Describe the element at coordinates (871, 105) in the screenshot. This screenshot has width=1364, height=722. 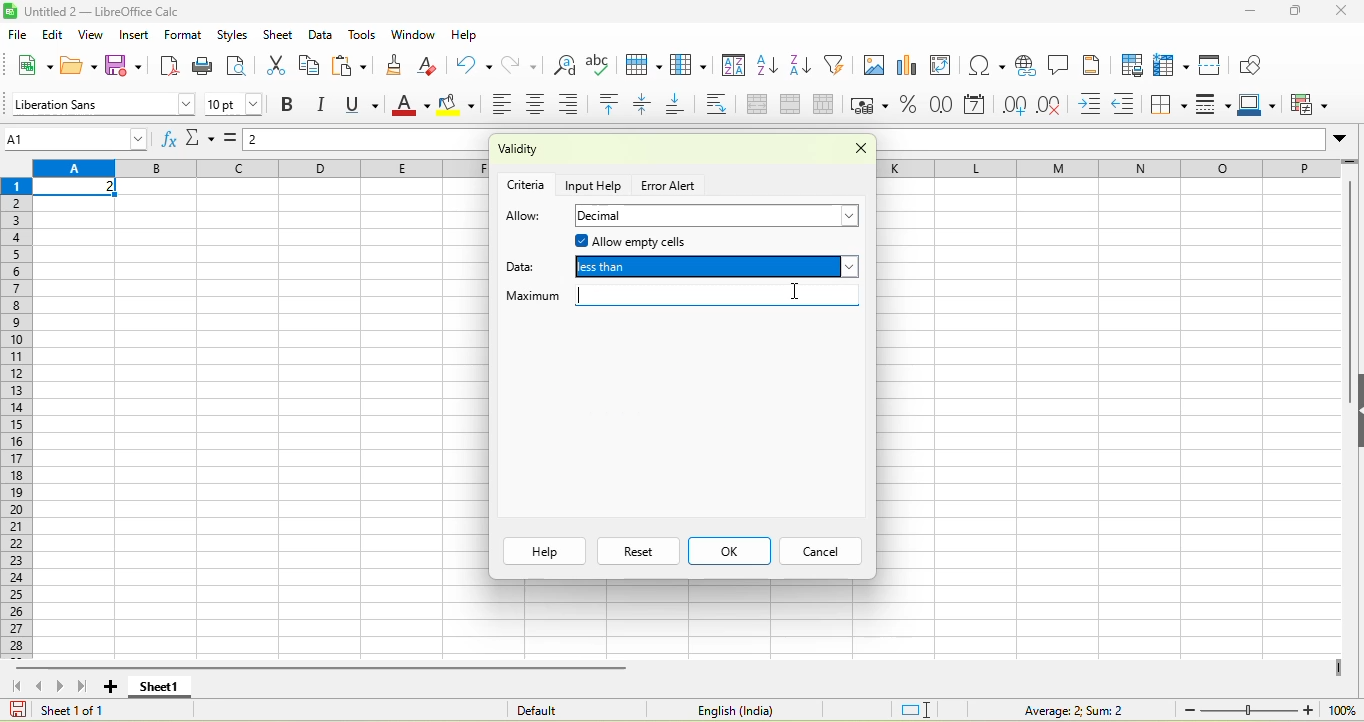
I see `format as currency` at that location.